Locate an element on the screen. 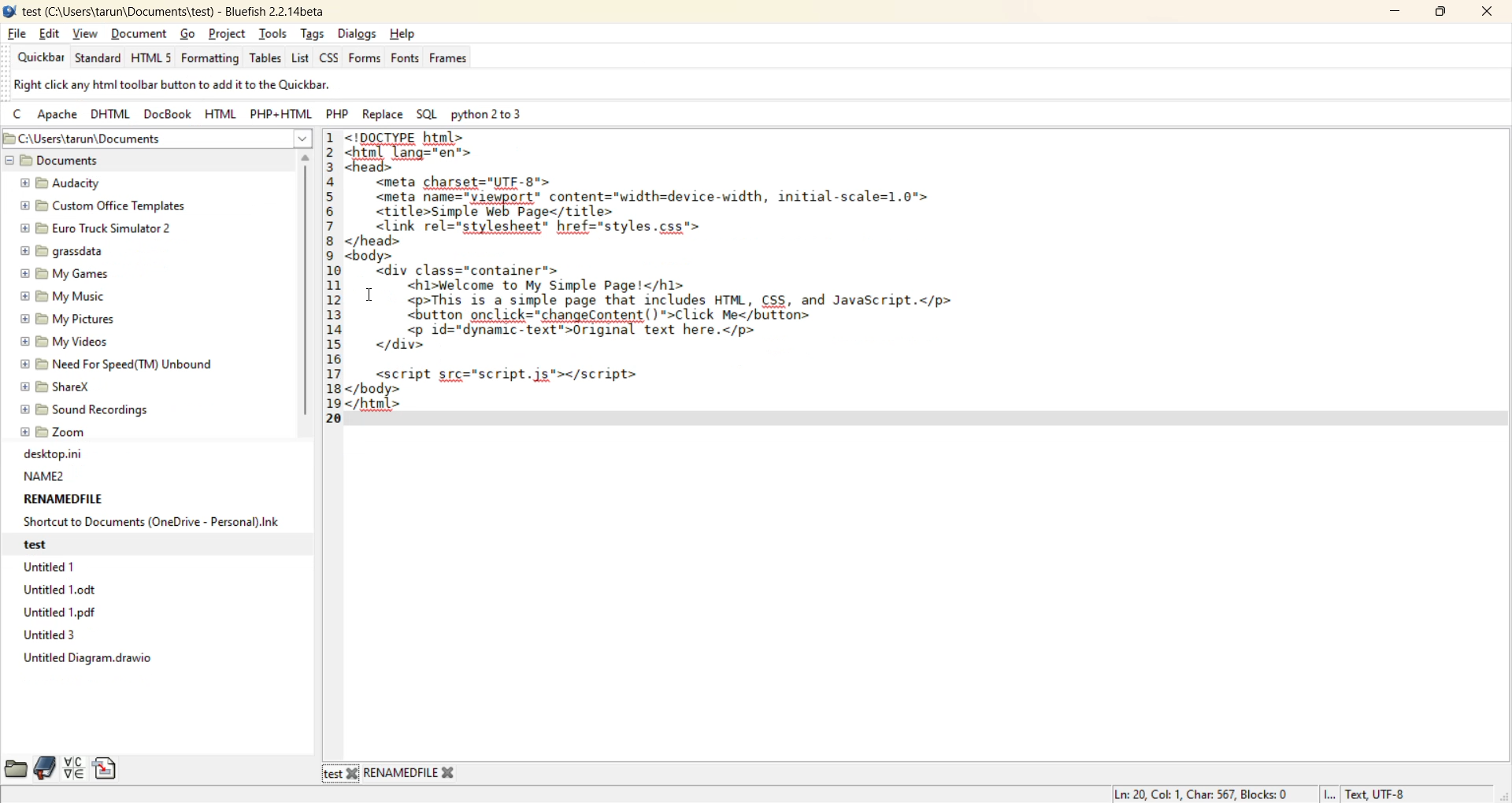  forms is located at coordinates (365, 57).